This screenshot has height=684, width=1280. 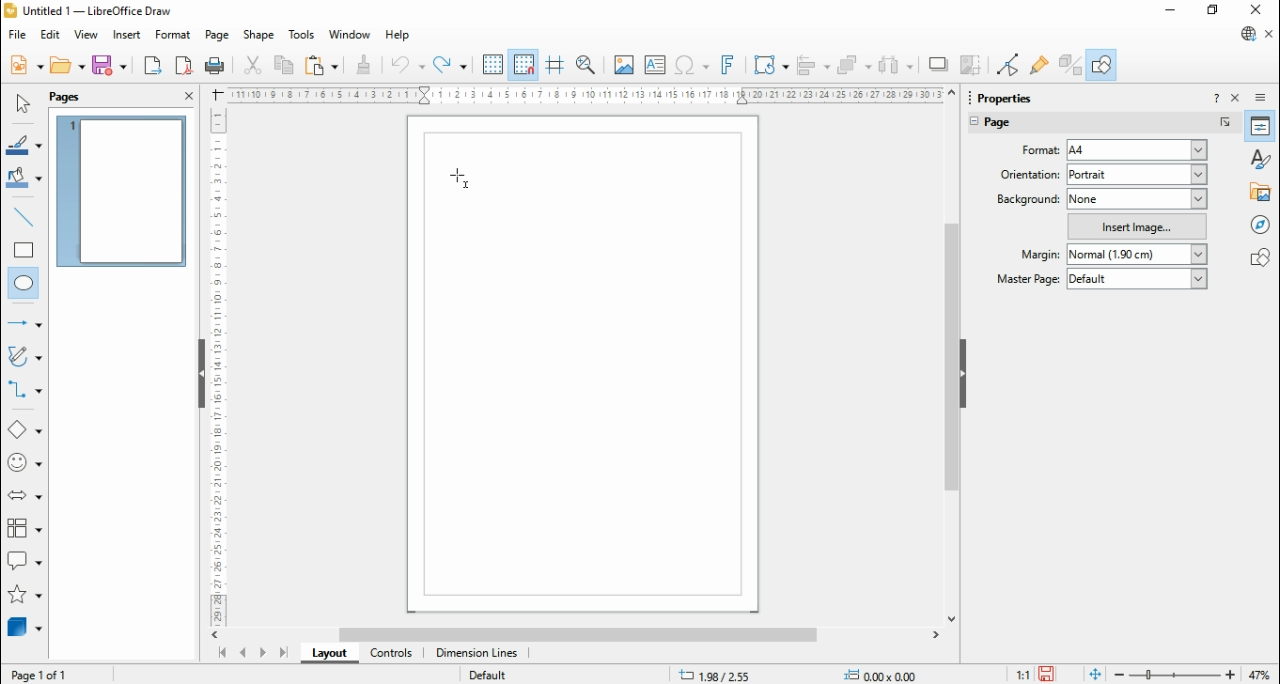 I want to click on help about this sidebar deck, so click(x=1216, y=97).